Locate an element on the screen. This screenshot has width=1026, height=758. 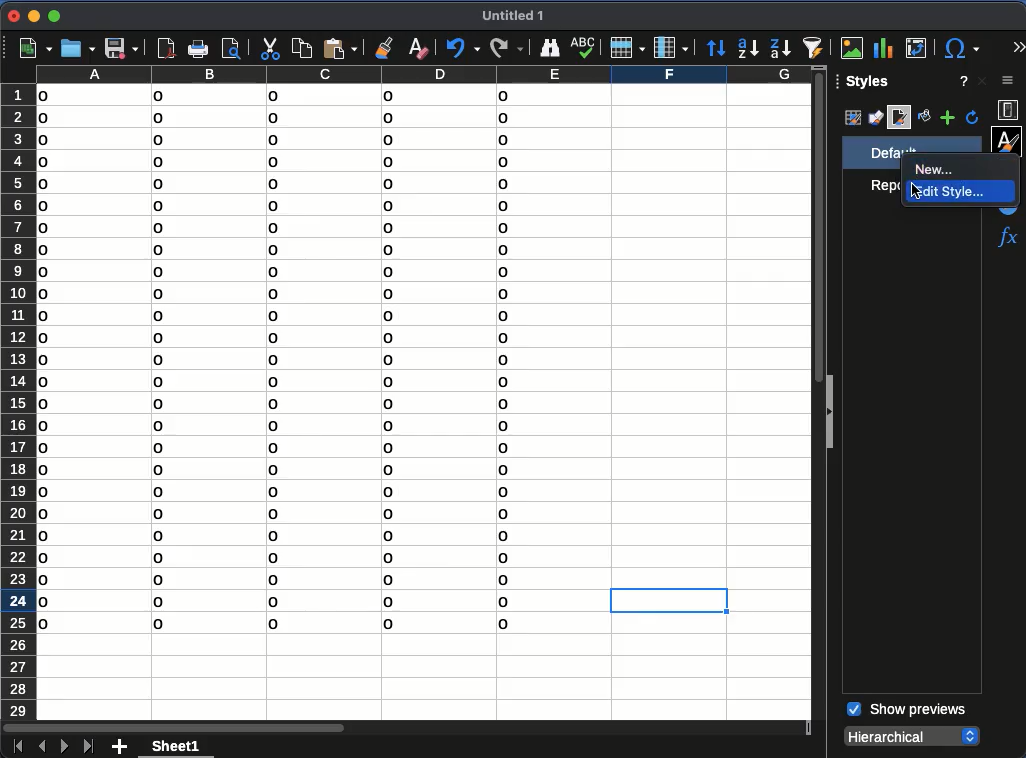
sort is located at coordinates (715, 48).